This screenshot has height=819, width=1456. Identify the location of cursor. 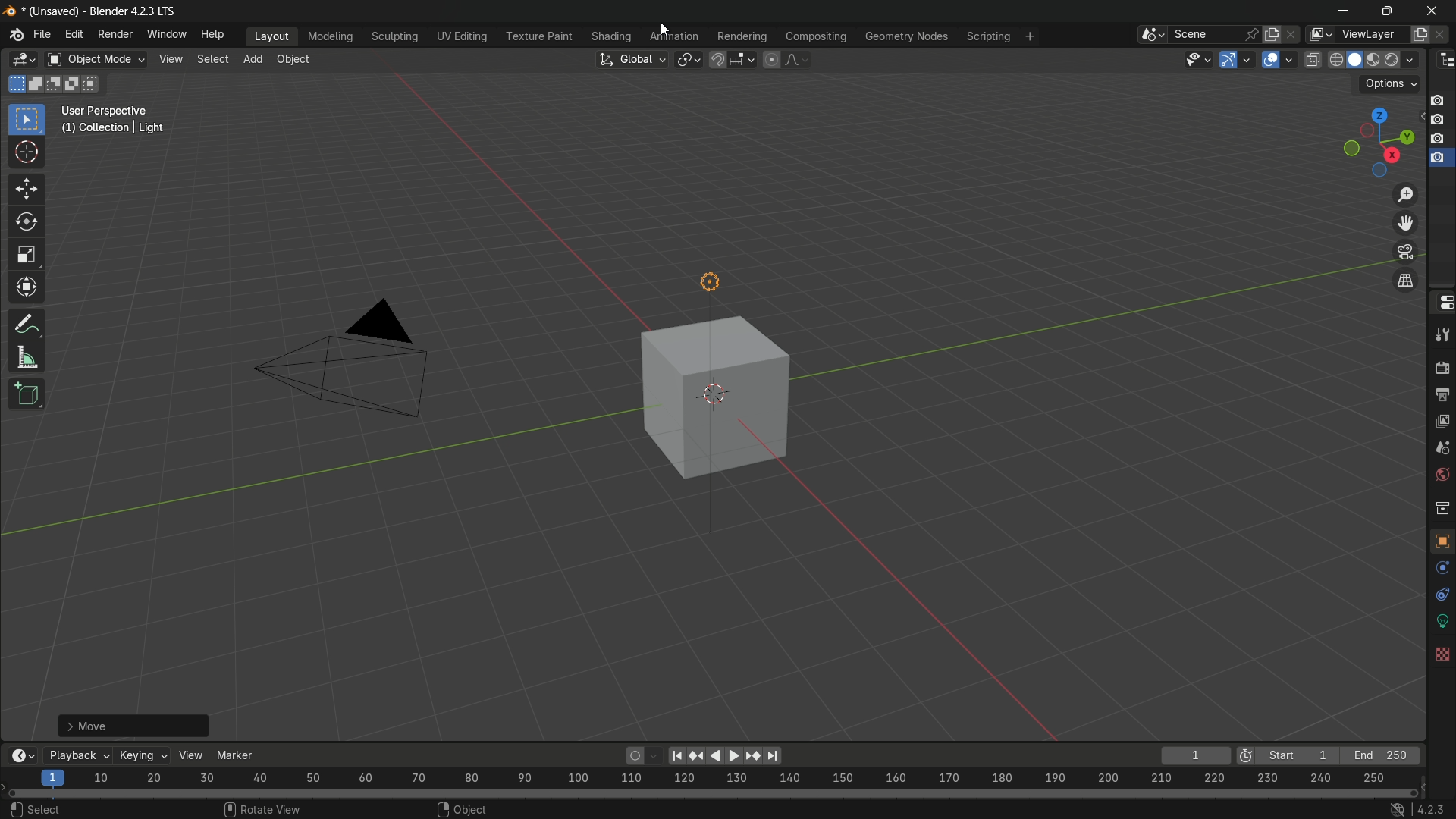
(28, 155).